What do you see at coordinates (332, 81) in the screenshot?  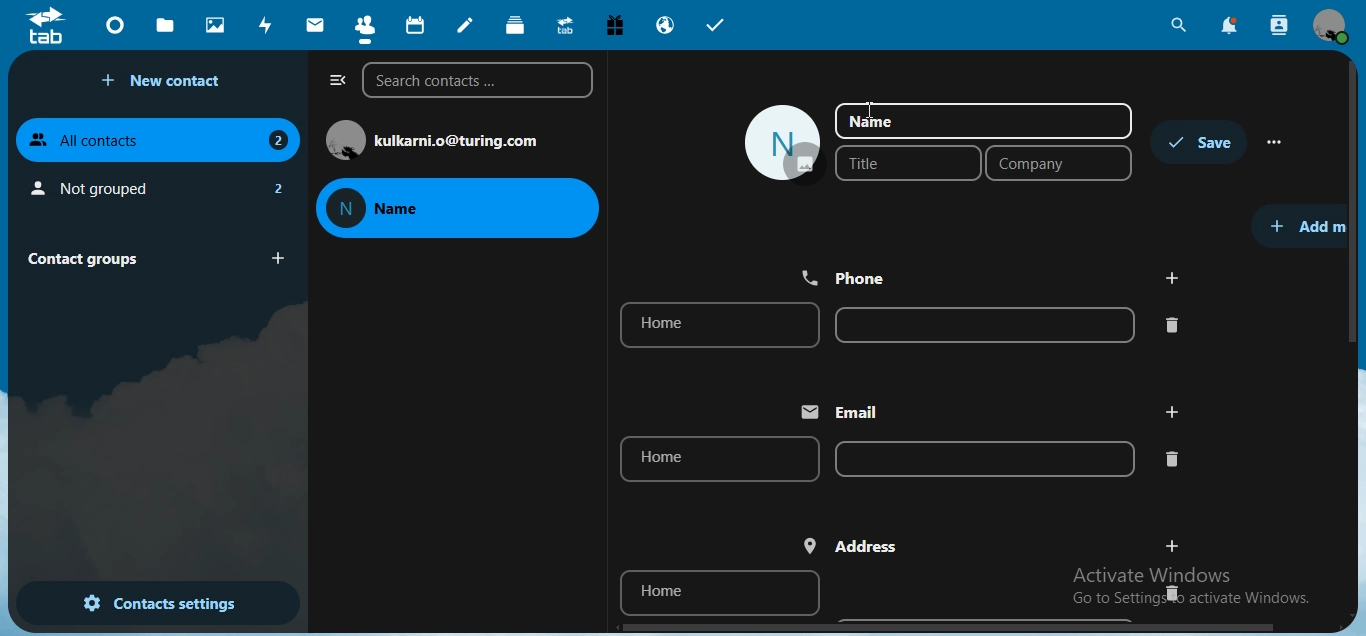 I see `close navigation` at bounding box center [332, 81].